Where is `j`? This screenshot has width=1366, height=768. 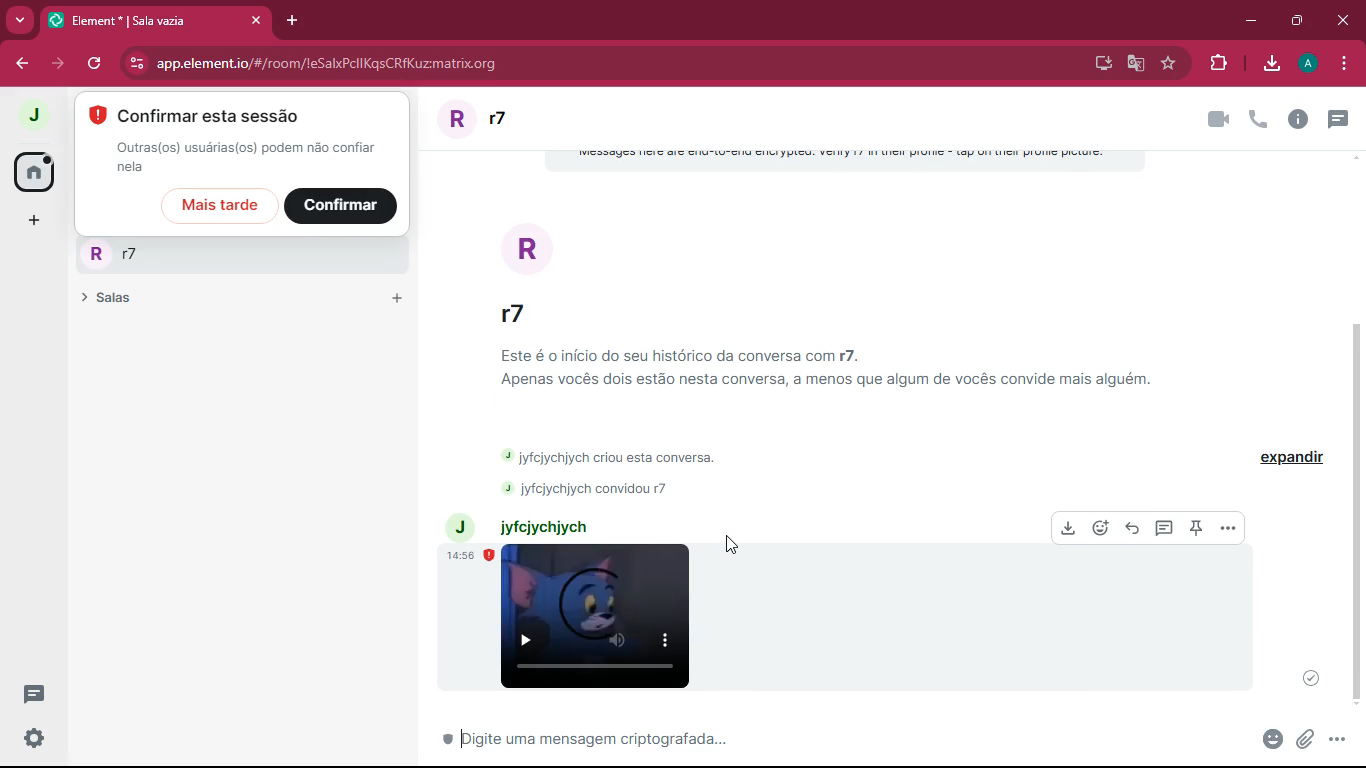 j is located at coordinates (35, 117).